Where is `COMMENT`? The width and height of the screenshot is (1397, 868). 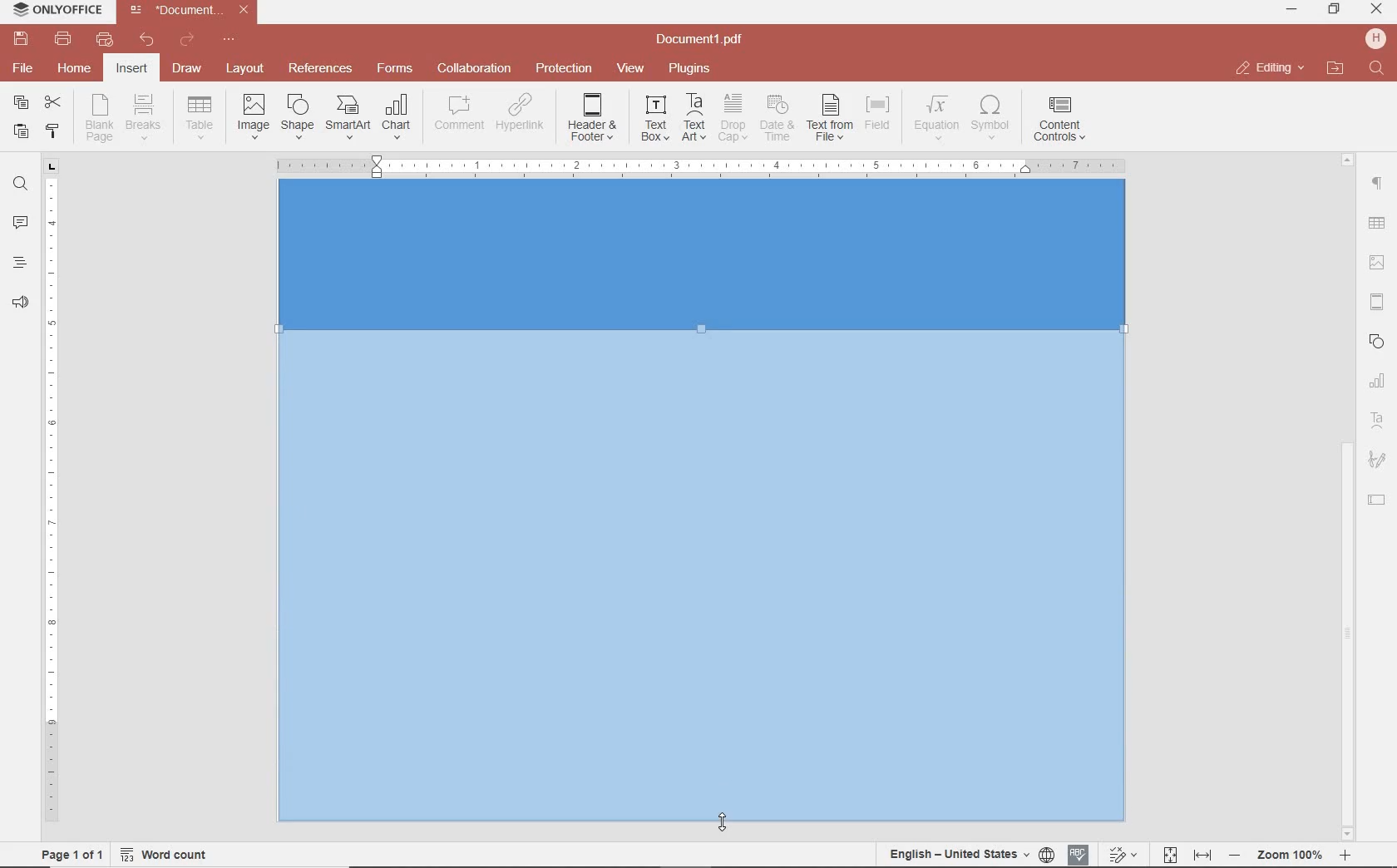
COMMENT is located at coordinates (461, 113).